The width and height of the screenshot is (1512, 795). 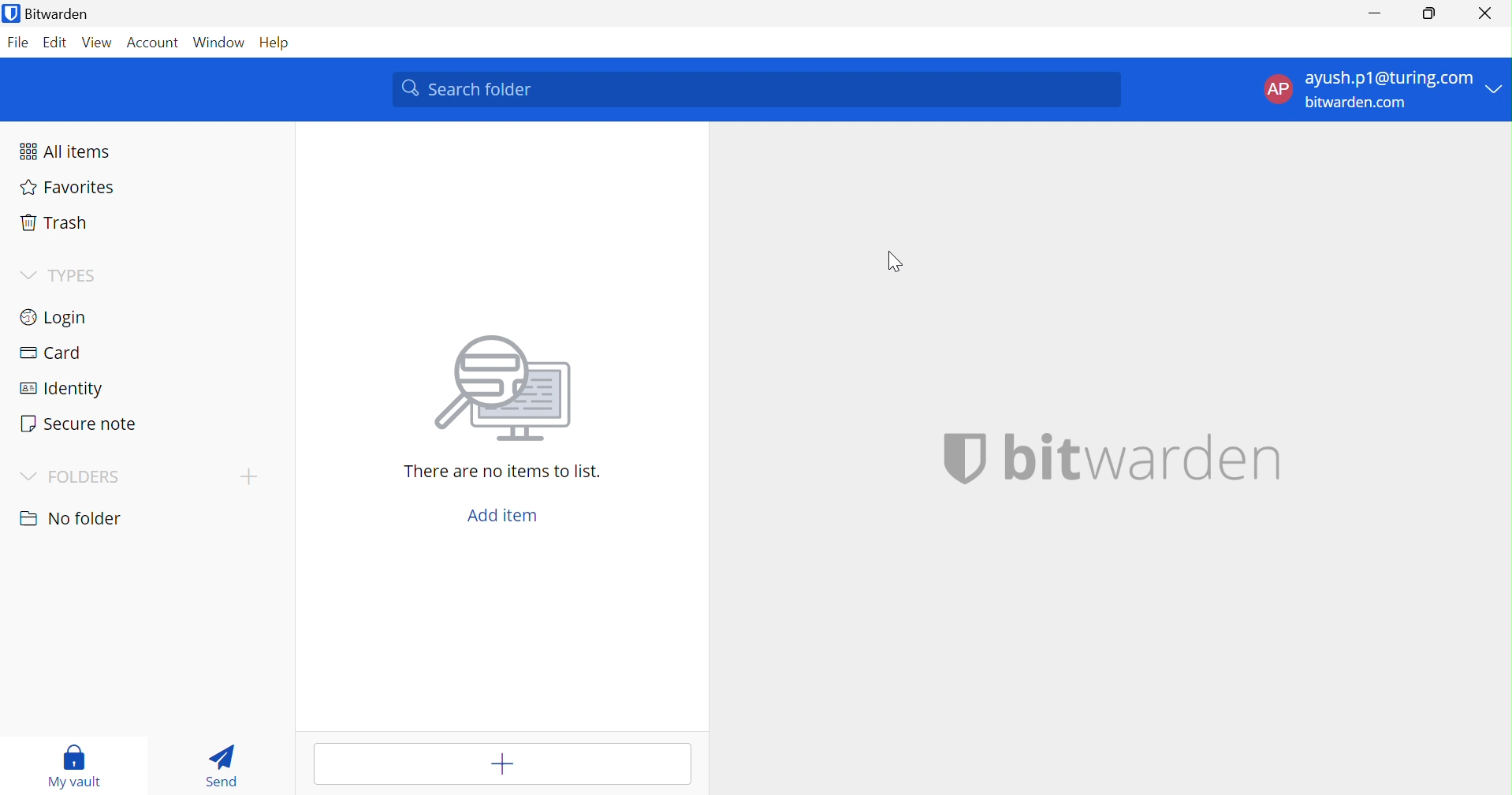 What do you see at coordinates (757, 90) in the screenshot?
I see `Search Vault` at bounding box center [757, 90].